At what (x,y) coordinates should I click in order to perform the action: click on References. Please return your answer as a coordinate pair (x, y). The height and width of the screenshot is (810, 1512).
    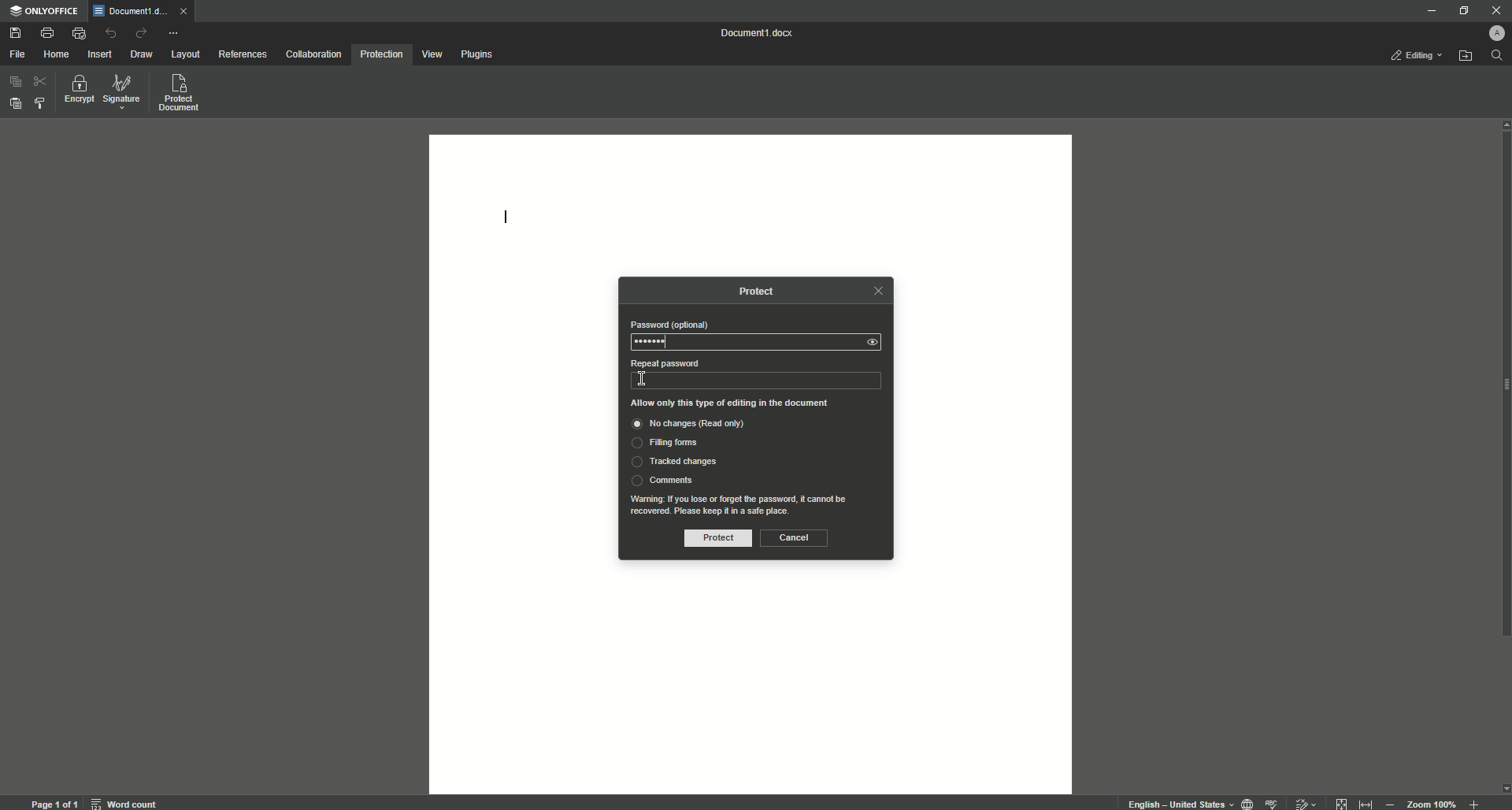
    Looking at the image, I should click on (242, 54).